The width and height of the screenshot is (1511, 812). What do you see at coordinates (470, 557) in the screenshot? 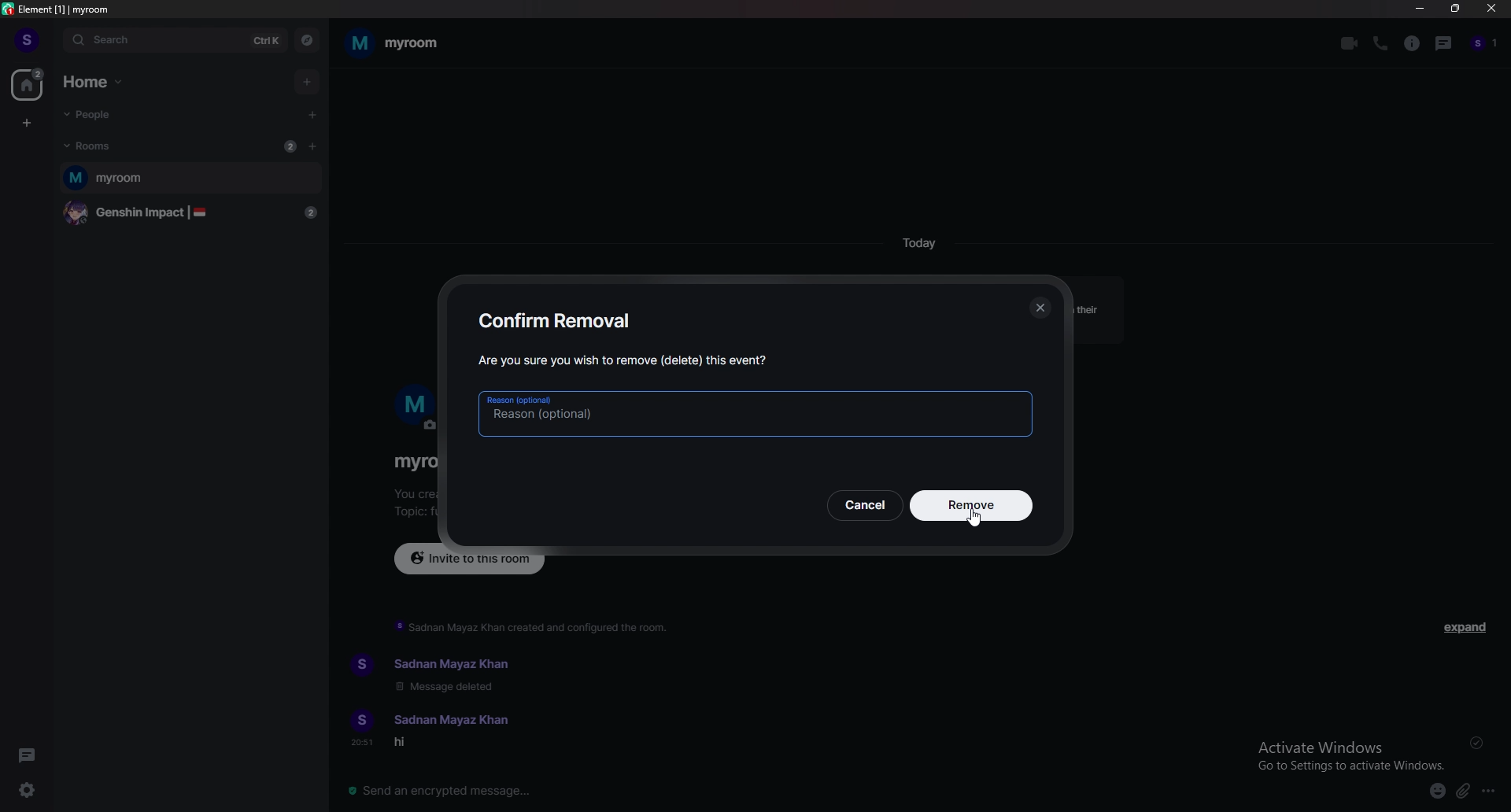
I see `invite to this room` at bounding box center [470, 557].